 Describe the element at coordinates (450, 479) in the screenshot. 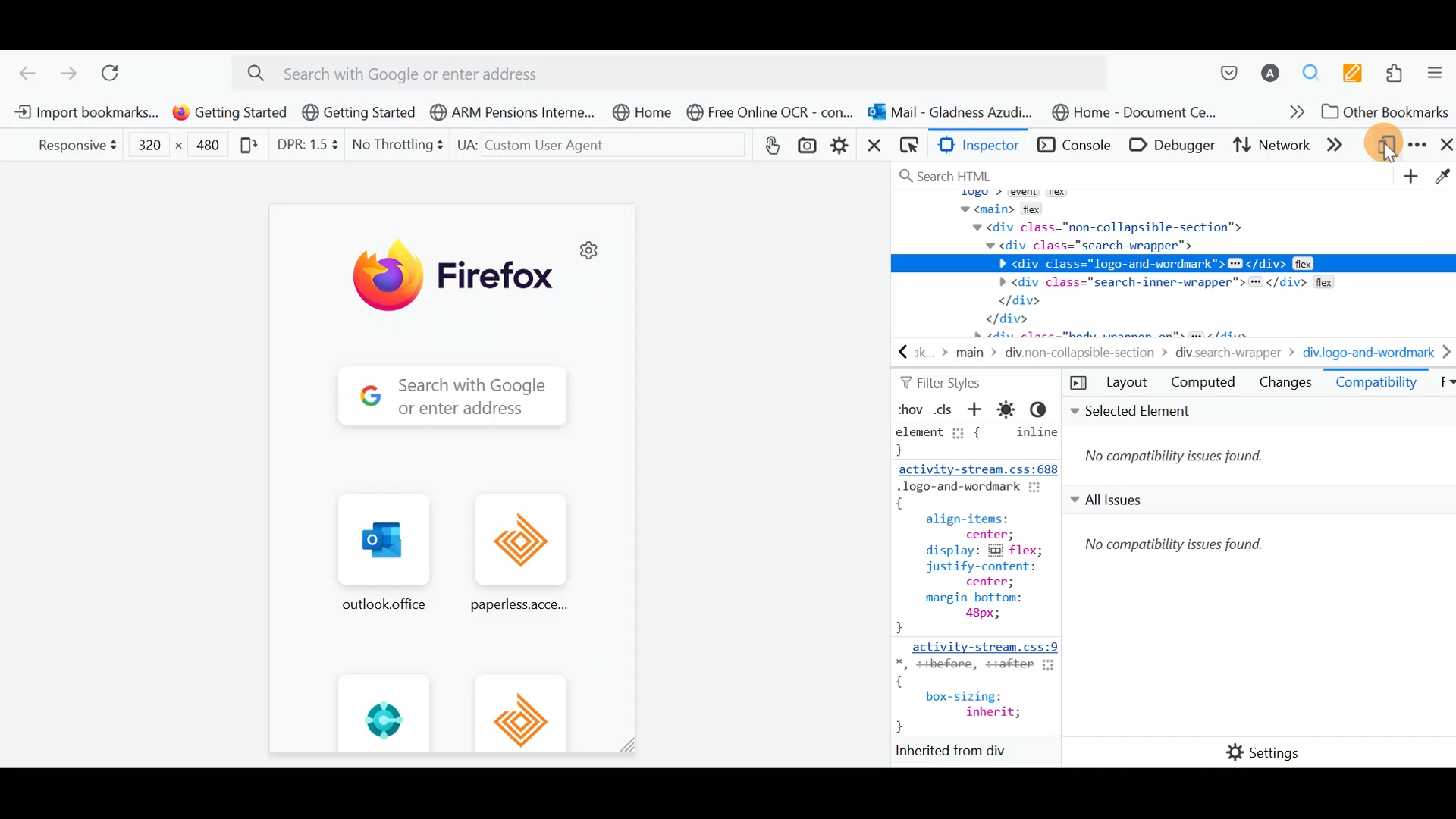

I see `Webpage's mobile responsiveness displayed here` at that location.